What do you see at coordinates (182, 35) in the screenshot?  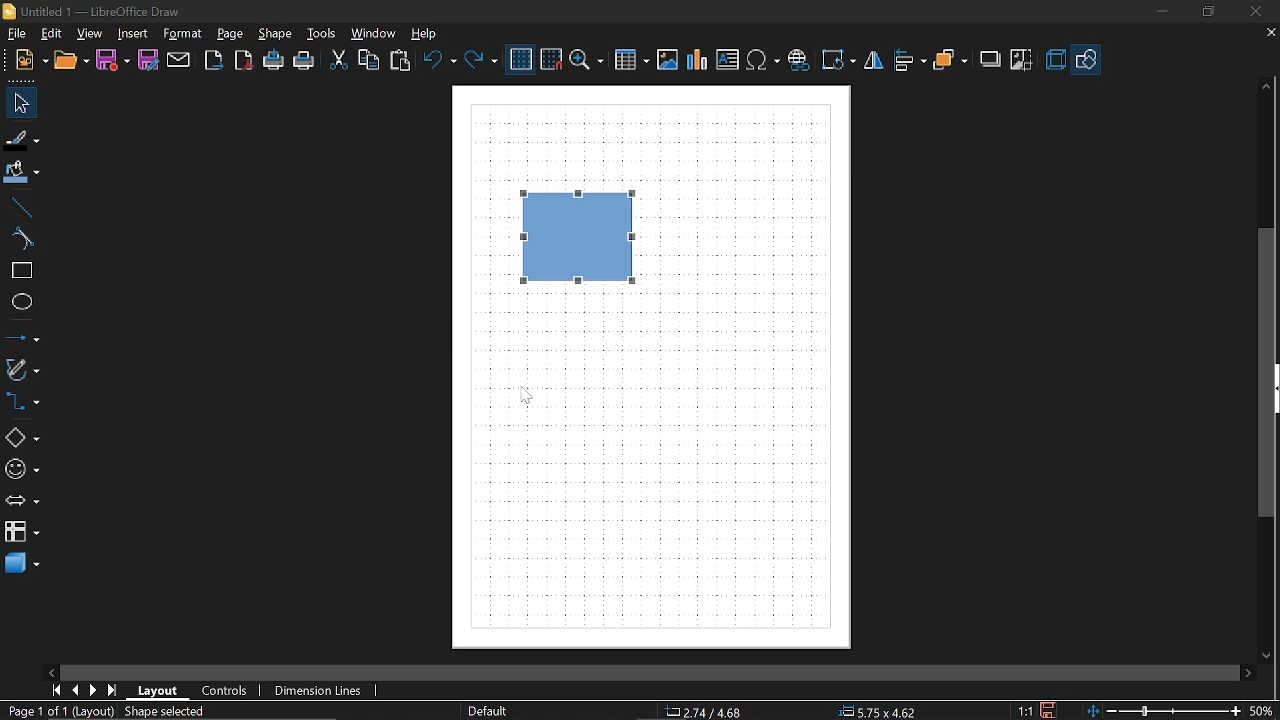 I see `Format` at bounding box center [182, 35].